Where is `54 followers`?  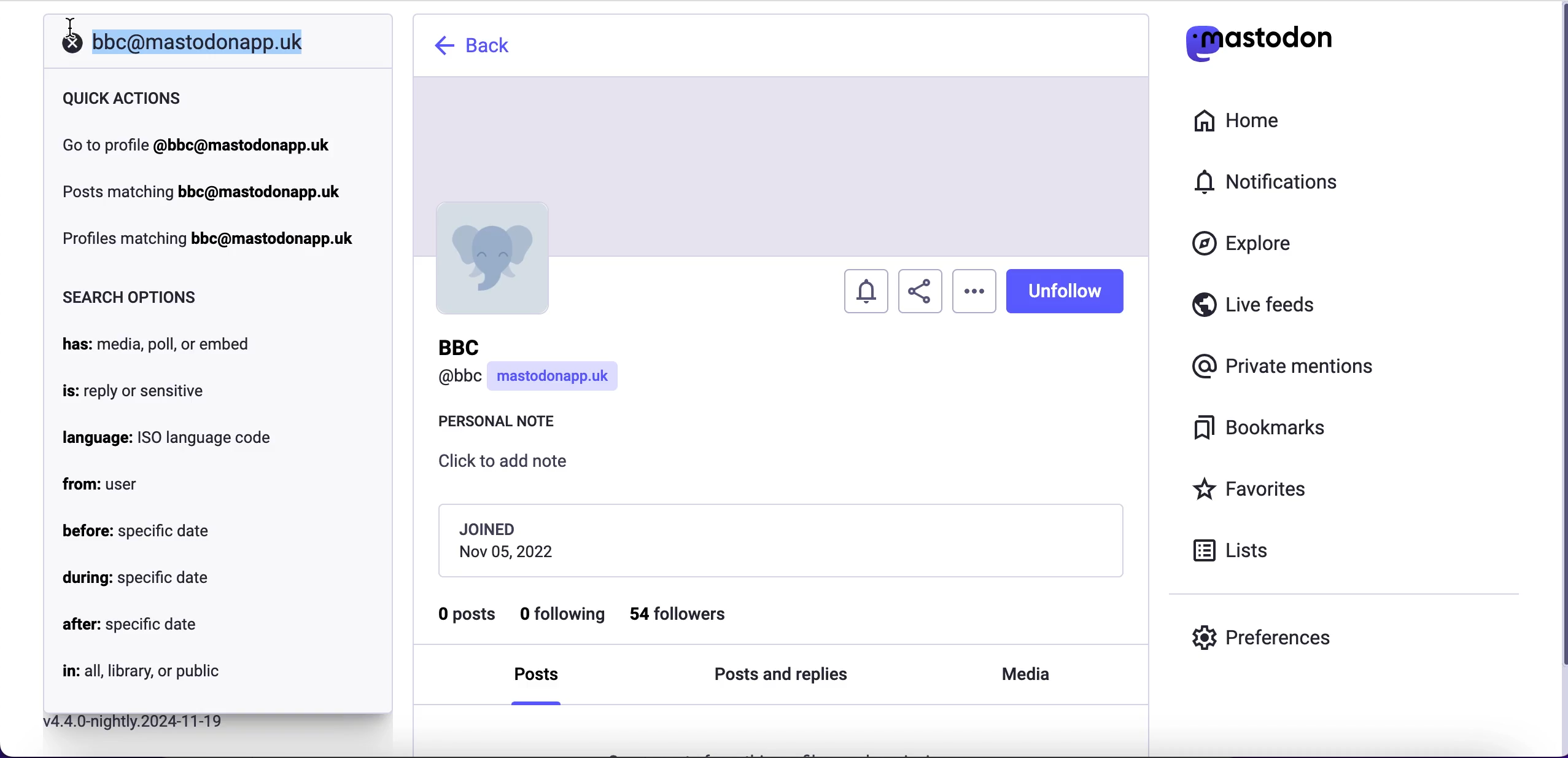 54 followers is located at coordinates (689, 614).